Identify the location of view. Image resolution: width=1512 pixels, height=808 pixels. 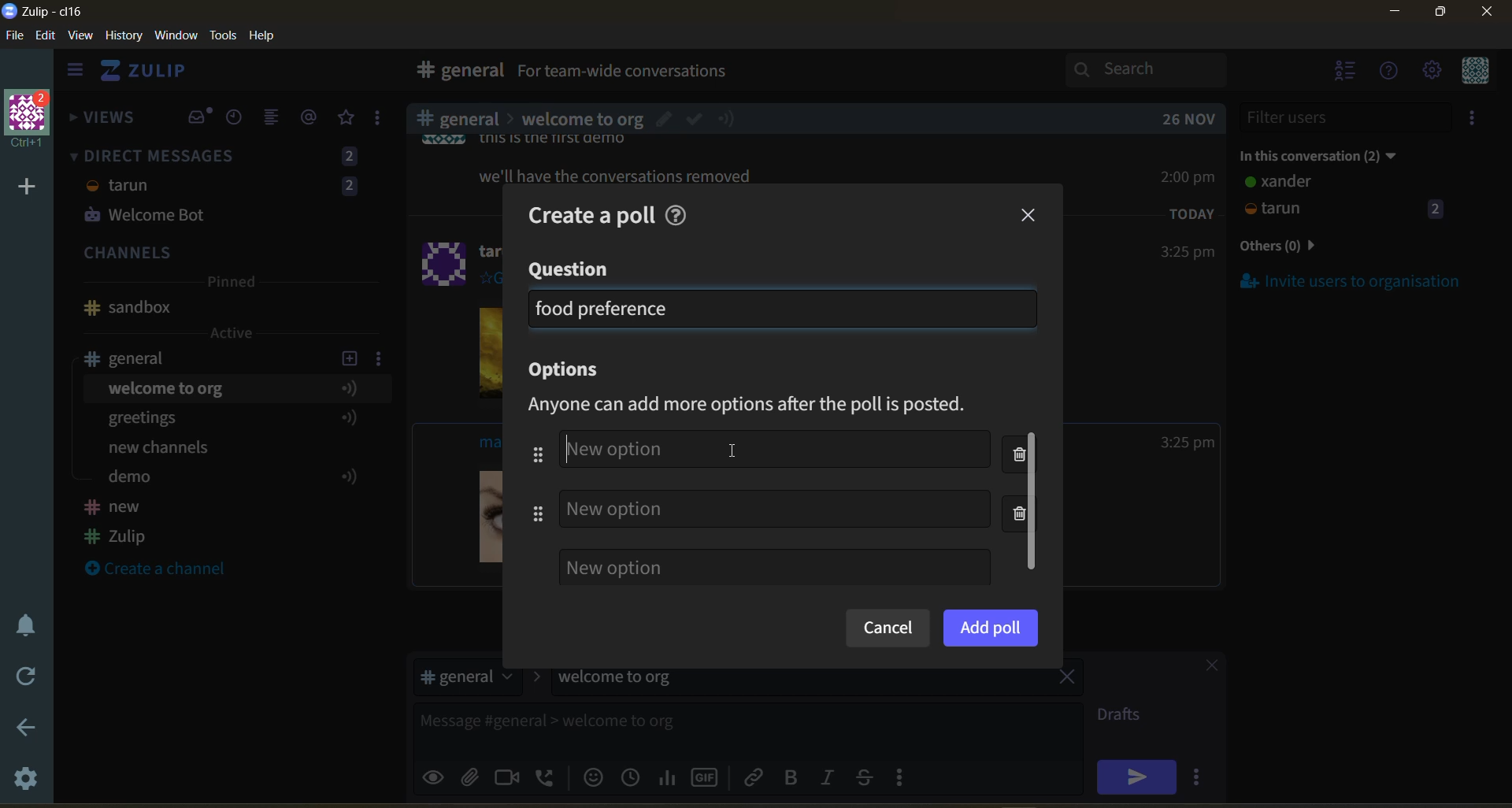
(81, 36).